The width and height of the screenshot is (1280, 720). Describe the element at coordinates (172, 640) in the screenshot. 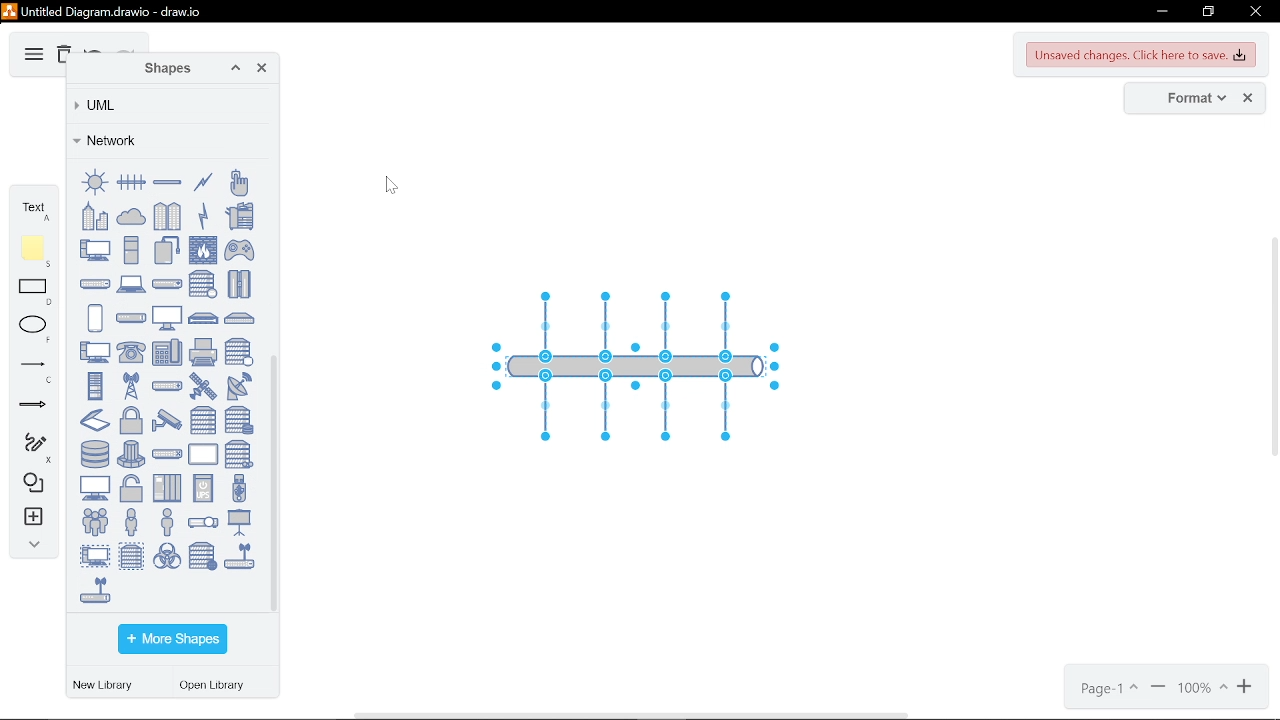

I see `more shapes` at that location.